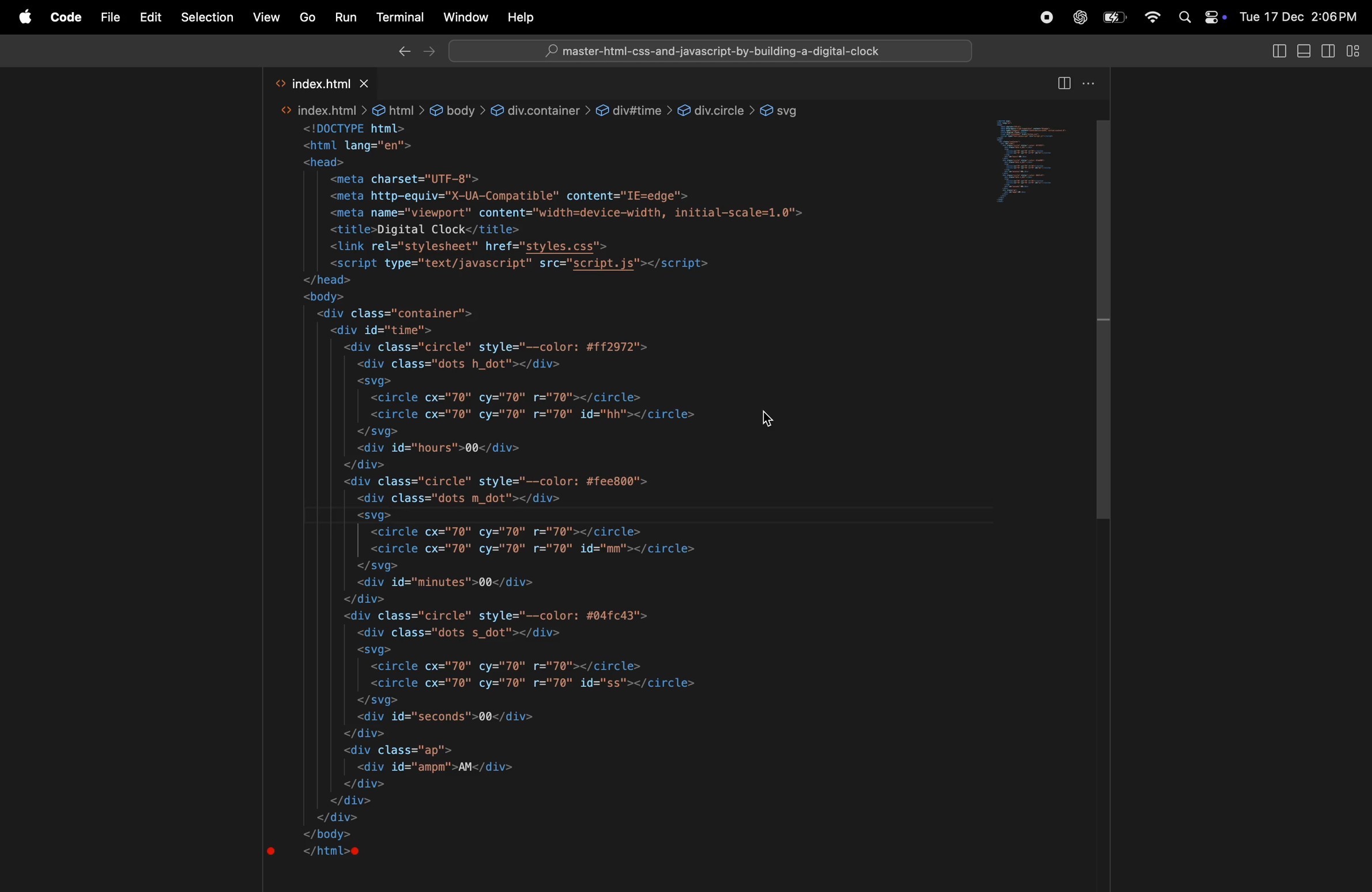  Describe the element at coordinates (713, 51) in the screenshot. I see `Search Bar` at that location.